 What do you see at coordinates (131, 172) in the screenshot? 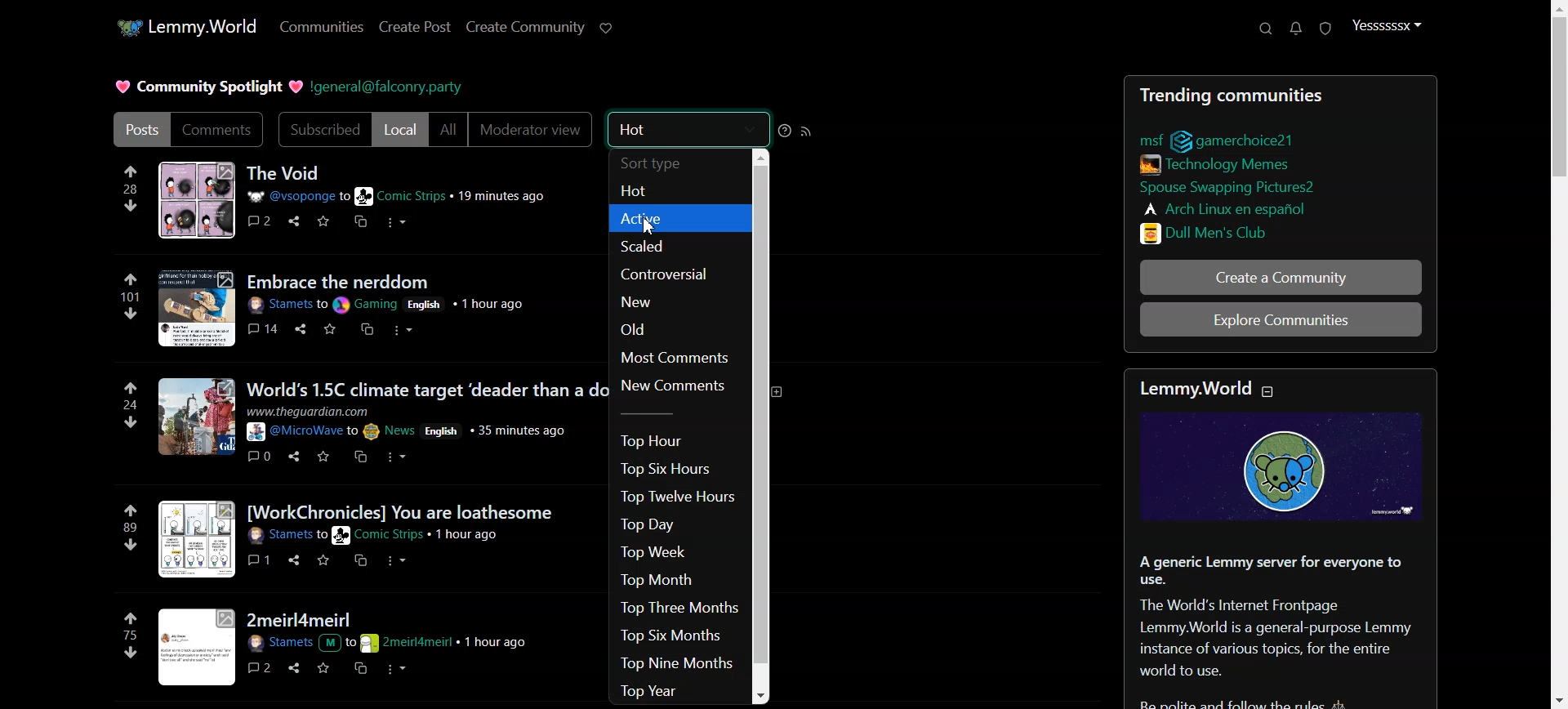
I see `upvote` at bounding box center [131, 172].